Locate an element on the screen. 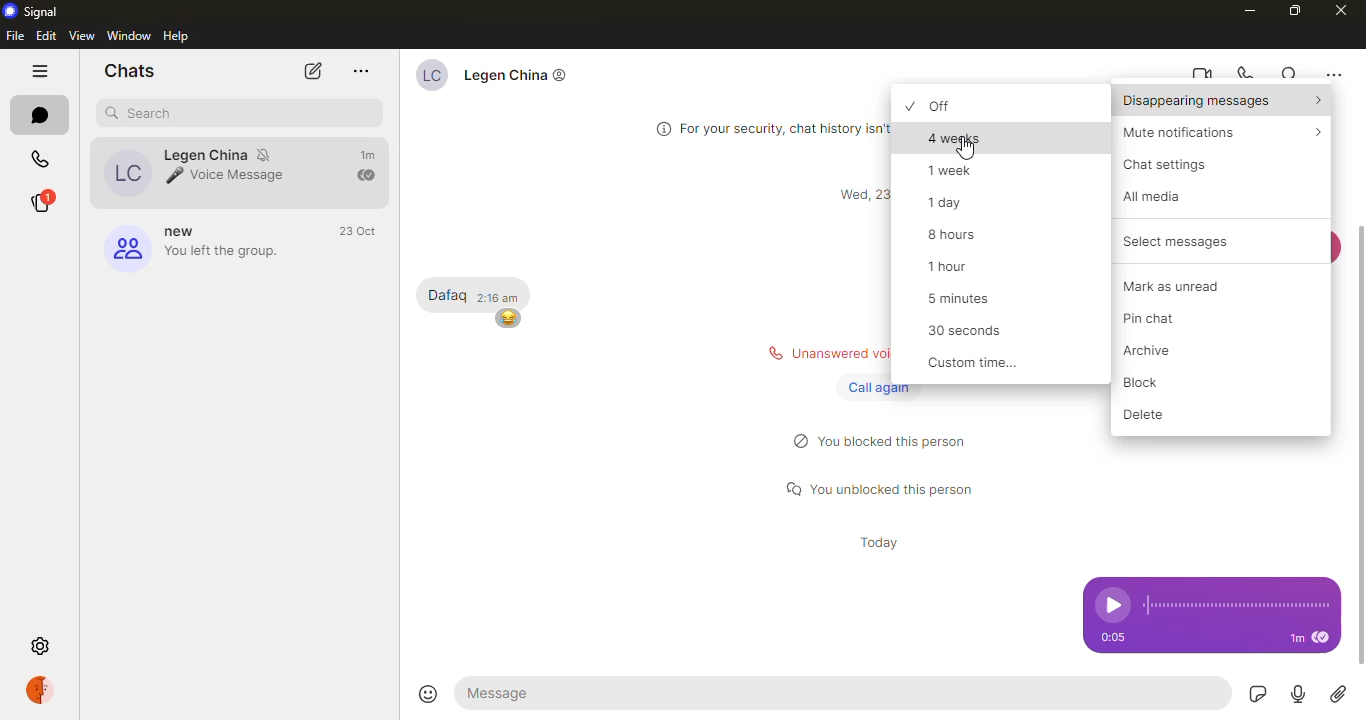  status message is located at coordinates (816, 353).